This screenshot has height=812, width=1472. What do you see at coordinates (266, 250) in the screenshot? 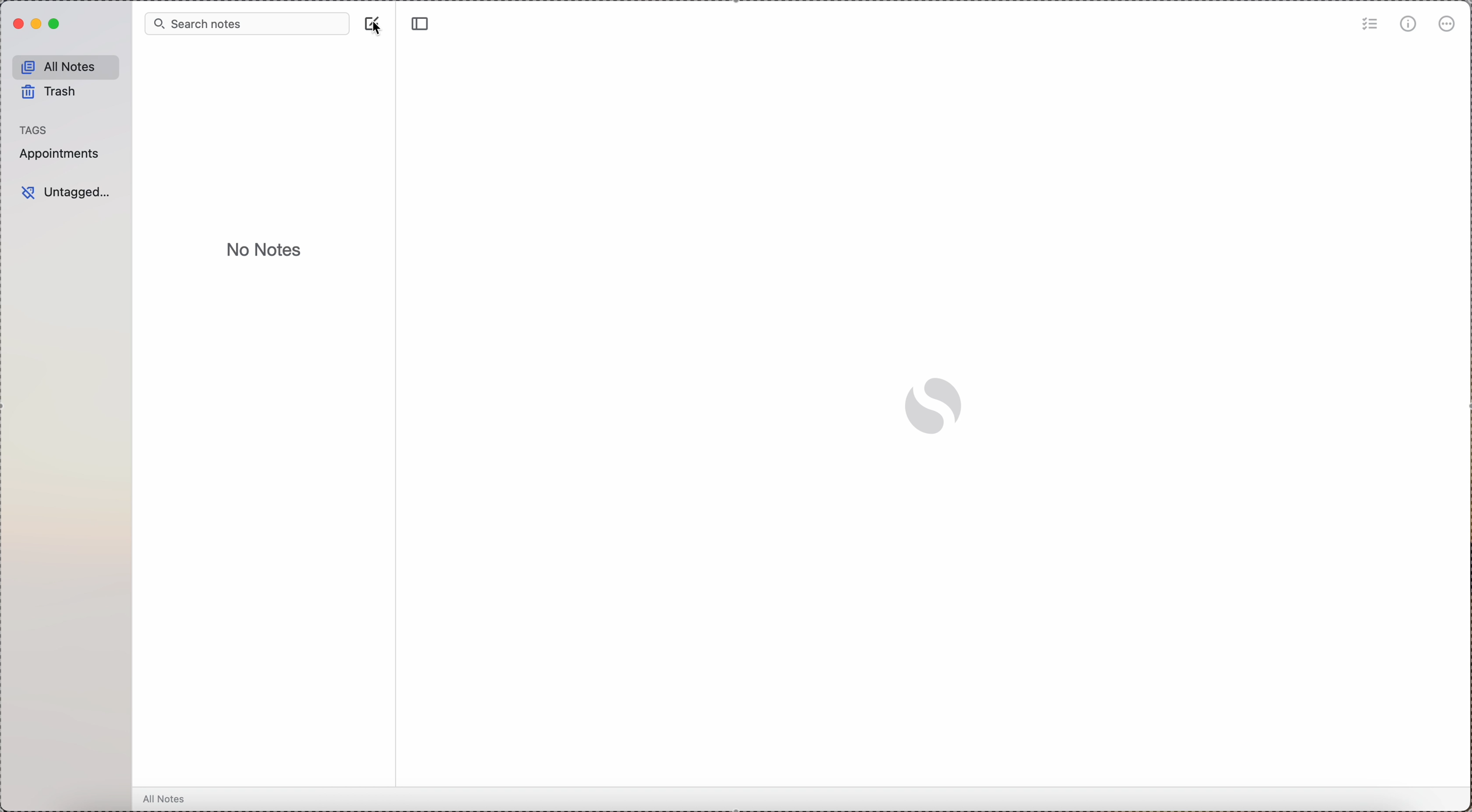
I see `no notes` at bounding box center [266, 250].